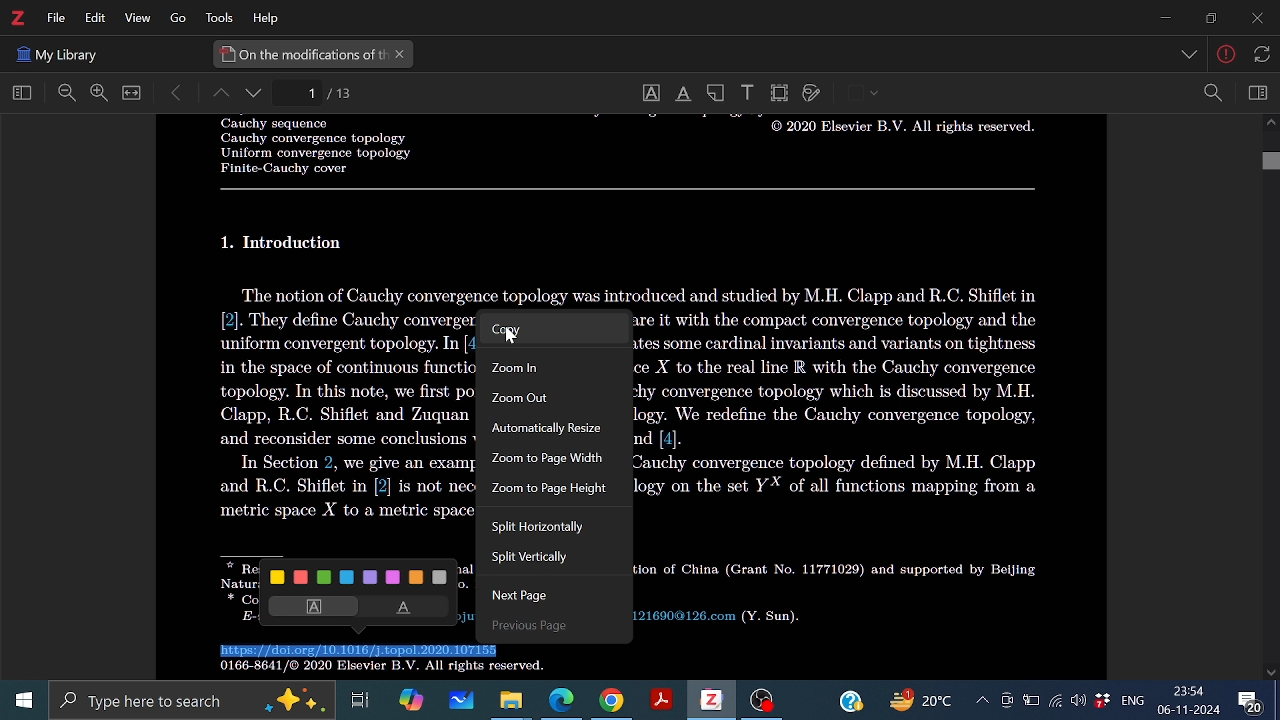 The width and height of the screenshot is (1280, 720). What do you see at coordinates (548, 491) in the screenshot?
I see `Zoom to page height` at bounding box center [548, 491].